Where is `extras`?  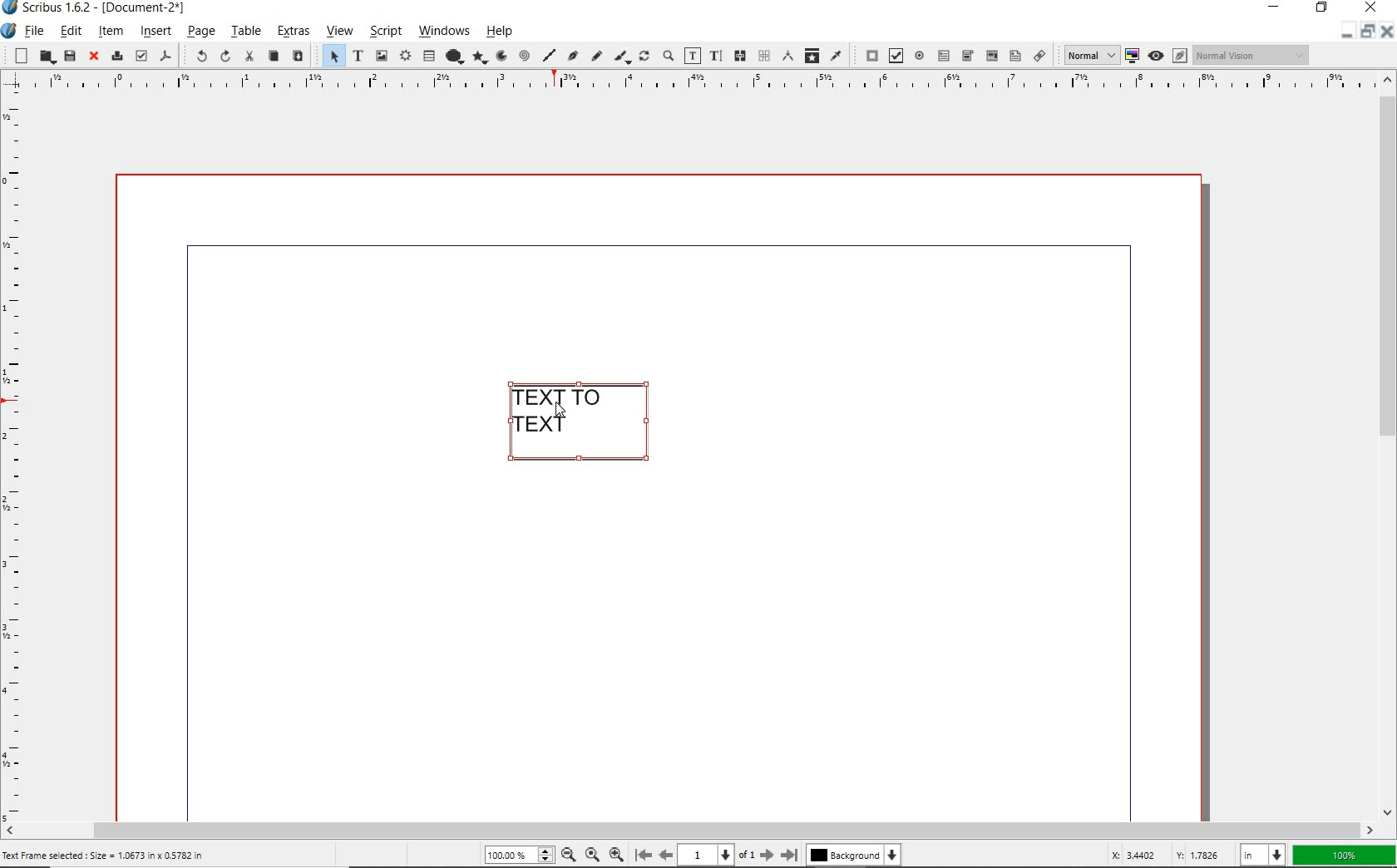
extras is located at coordinates (294, 31).